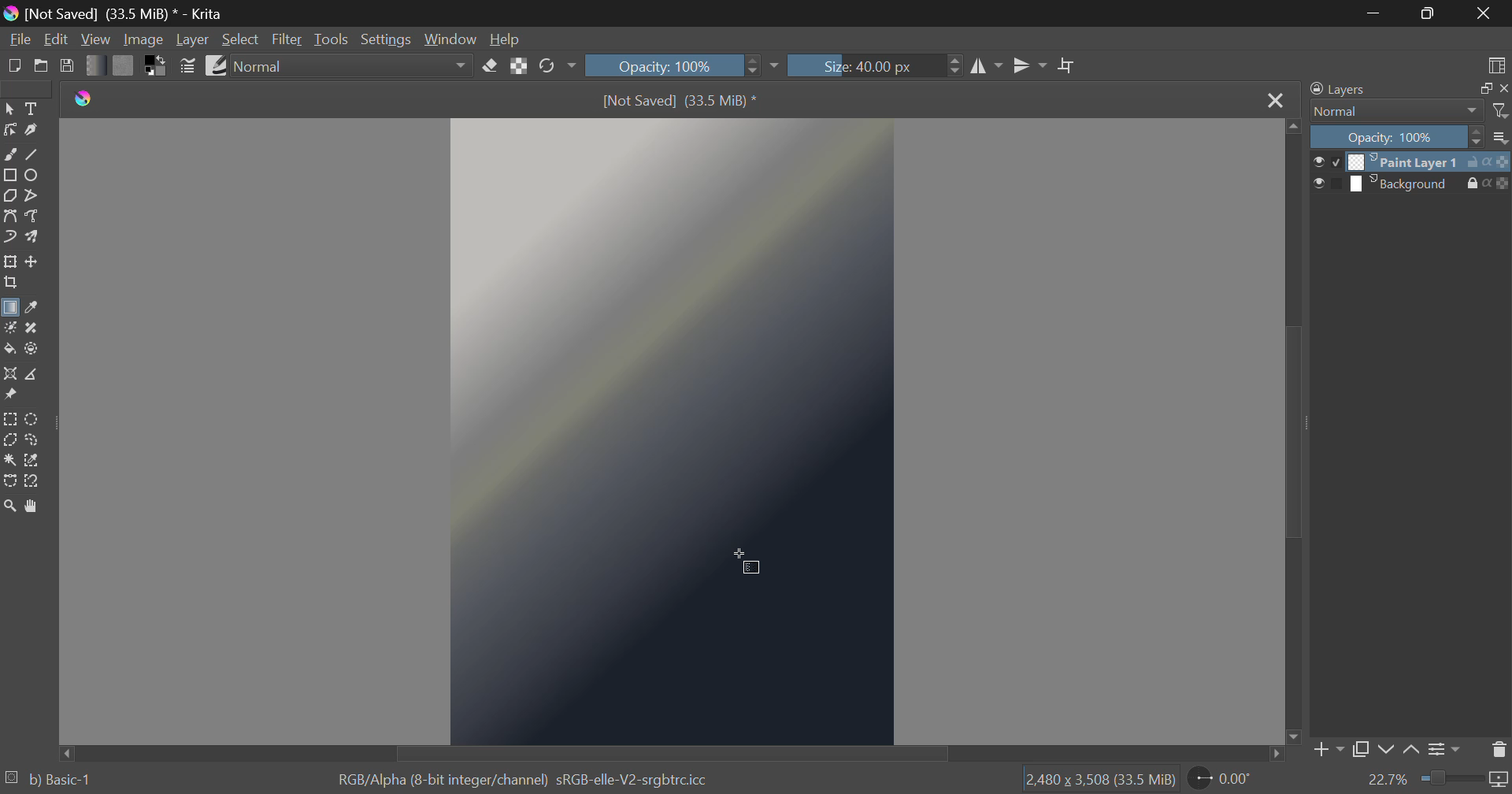 The height and width of the screenshot is (794, 1512). Describe the element at coordinates (528, 777) in the screenshot. I see `RGB/Alpha (8-bit integer/channel) sRGB-elle-V2-srgbtrc.icc` at that location.